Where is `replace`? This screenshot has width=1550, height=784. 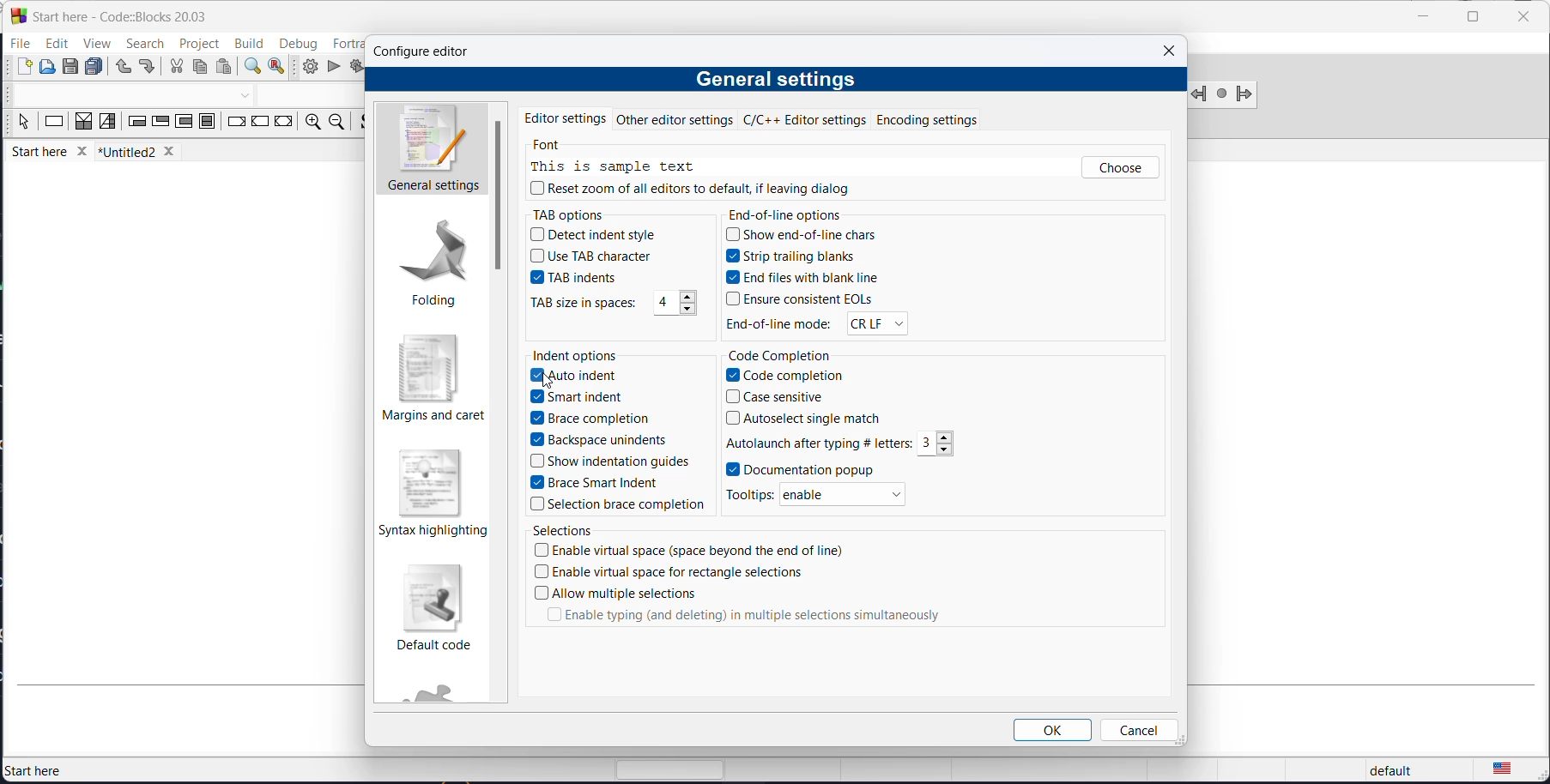
replace is located at coordinates (277, 69).